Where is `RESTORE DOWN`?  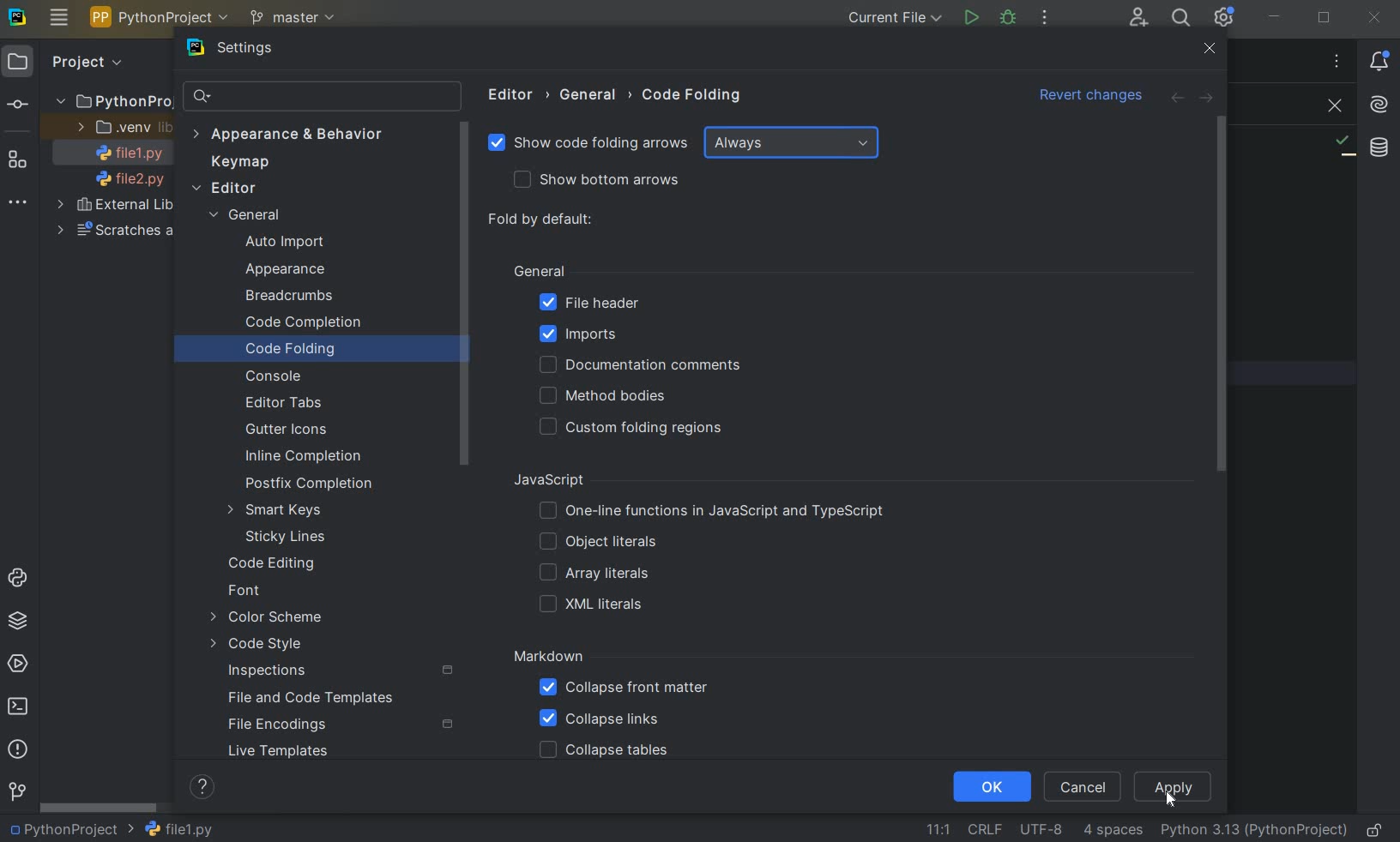 RESTORE DOWN is located at coordinates (1325, 20).